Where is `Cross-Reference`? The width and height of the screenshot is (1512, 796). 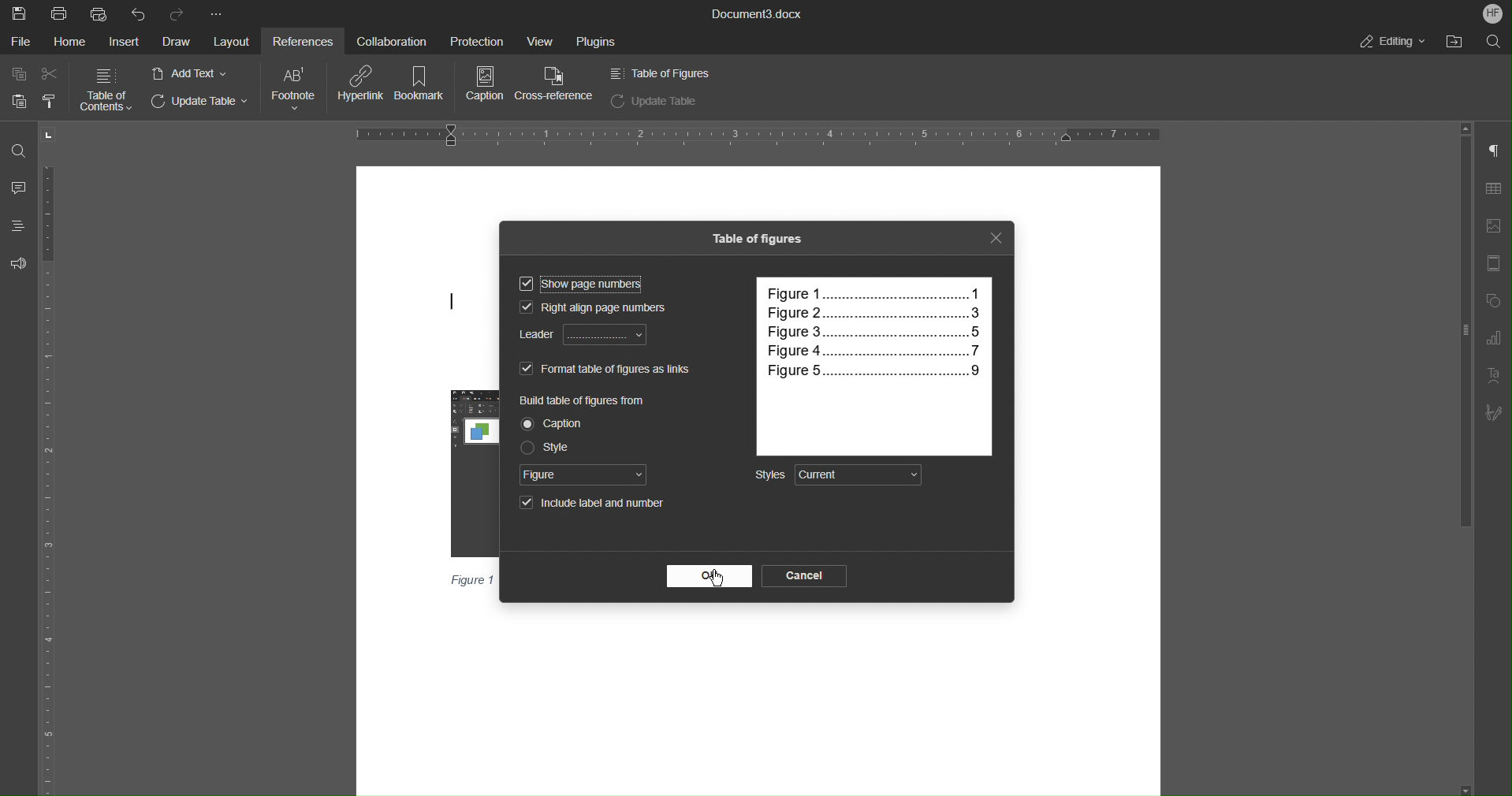 Cross-Reference is located at coordinates (557, 85).